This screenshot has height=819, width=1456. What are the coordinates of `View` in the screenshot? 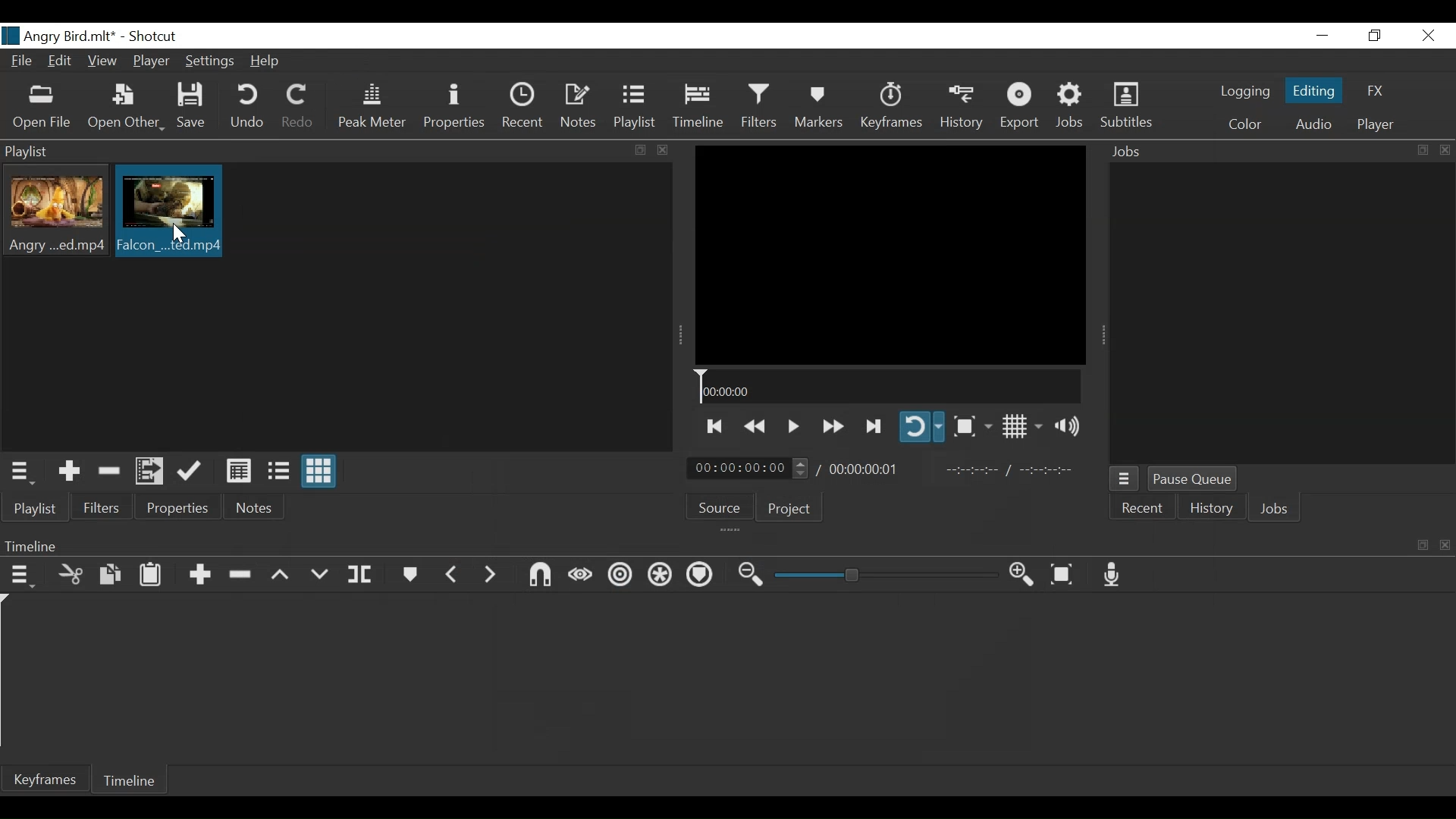 It's located at (102, 62).